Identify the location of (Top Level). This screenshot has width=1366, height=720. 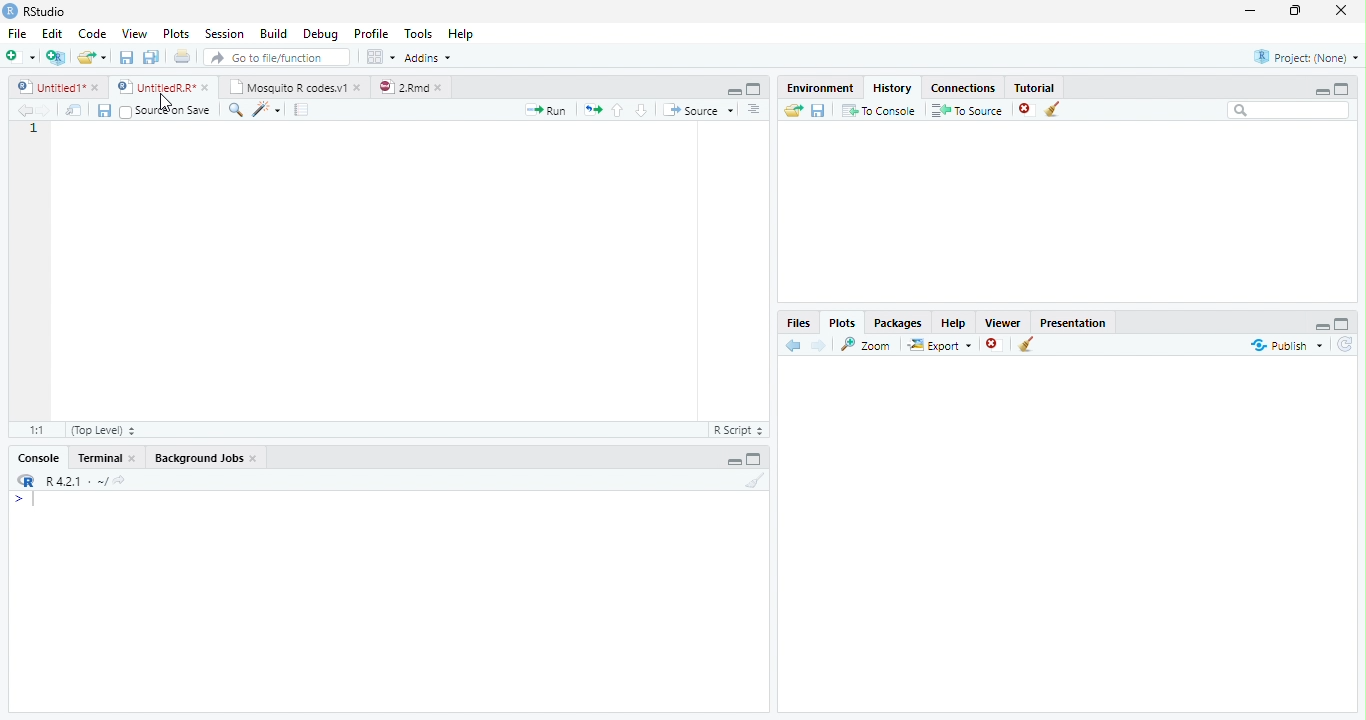
(103, 430).